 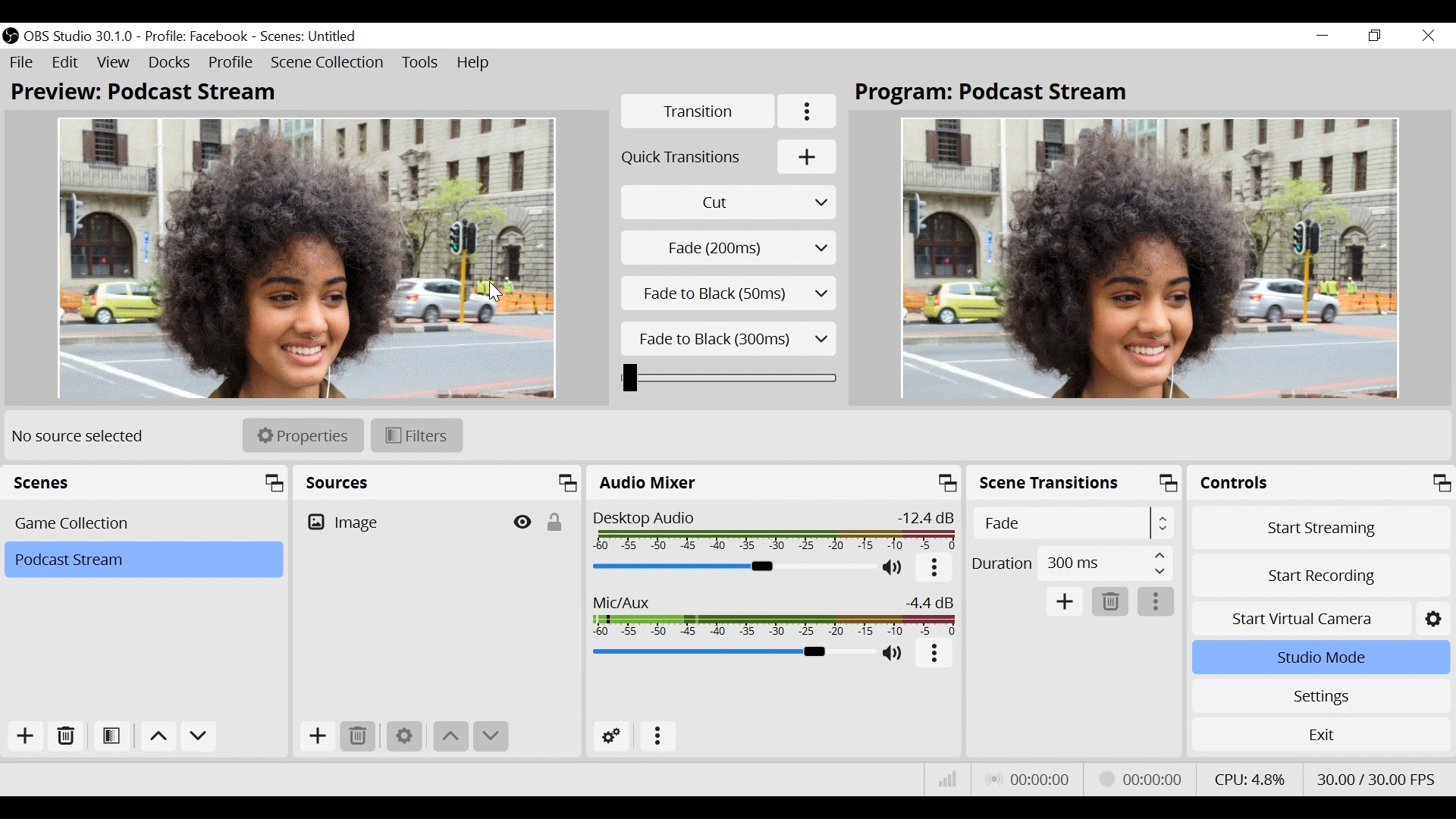 What do you see at coordinates (1323, 36) in the screenshot?
I see `minimize` at bounding box center [1323, 36].